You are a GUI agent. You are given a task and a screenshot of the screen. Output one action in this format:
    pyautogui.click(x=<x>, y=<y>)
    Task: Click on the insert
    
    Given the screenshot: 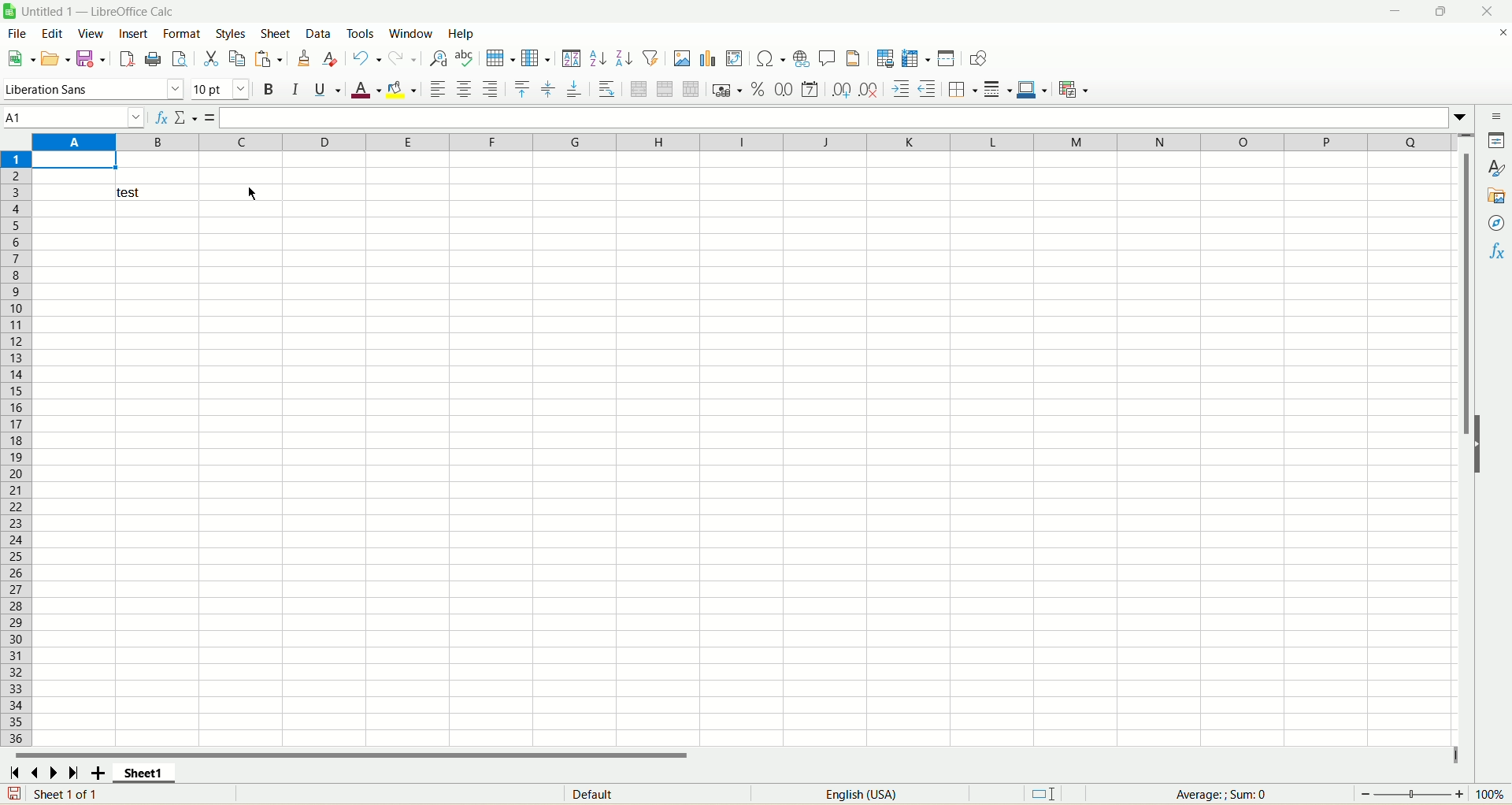 What is the action you would take?
    pyautogui.click(x=133, y=33)
    